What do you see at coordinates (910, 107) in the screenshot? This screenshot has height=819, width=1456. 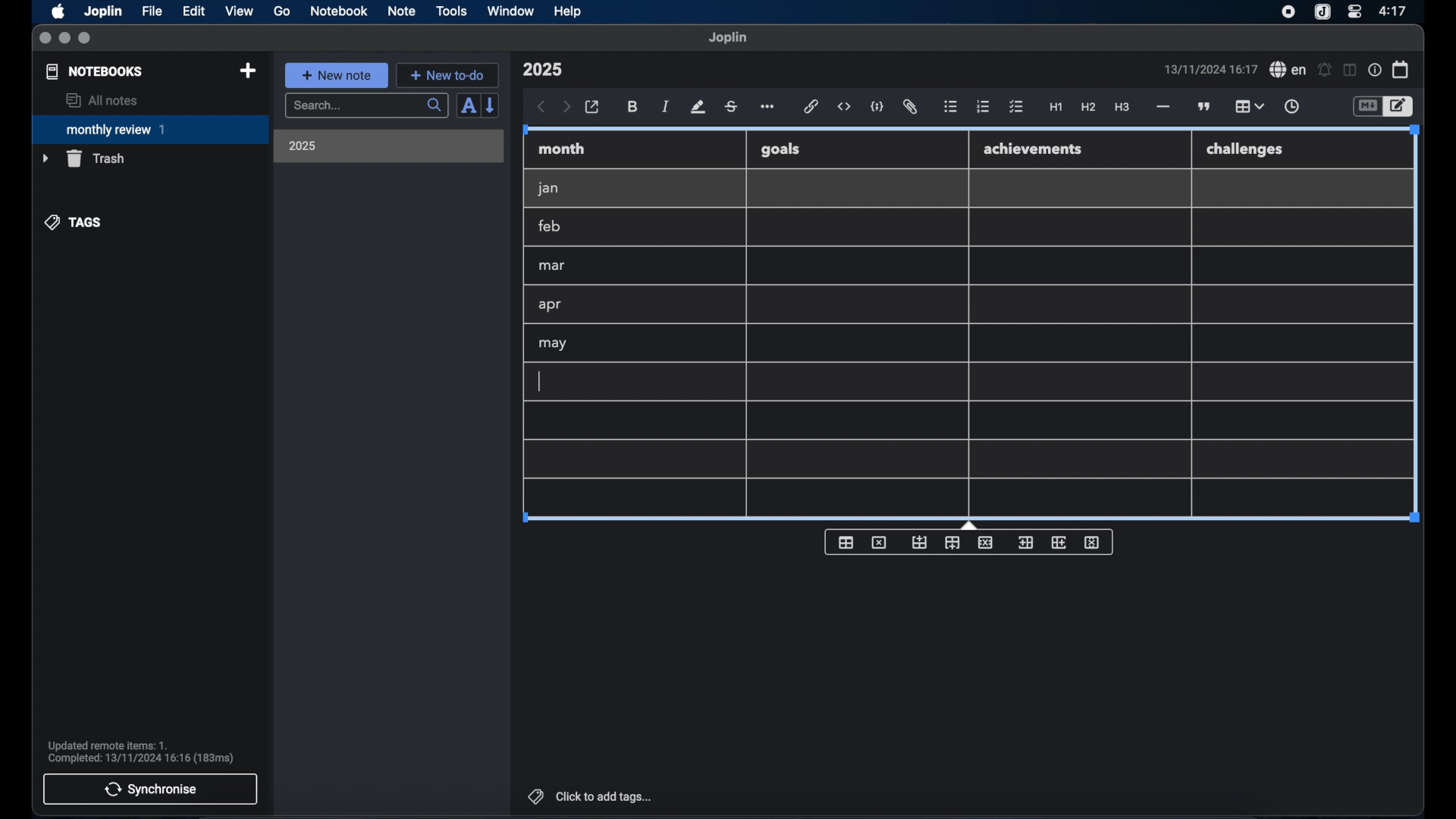 I see `attach file` at bounding box center [910, 107].